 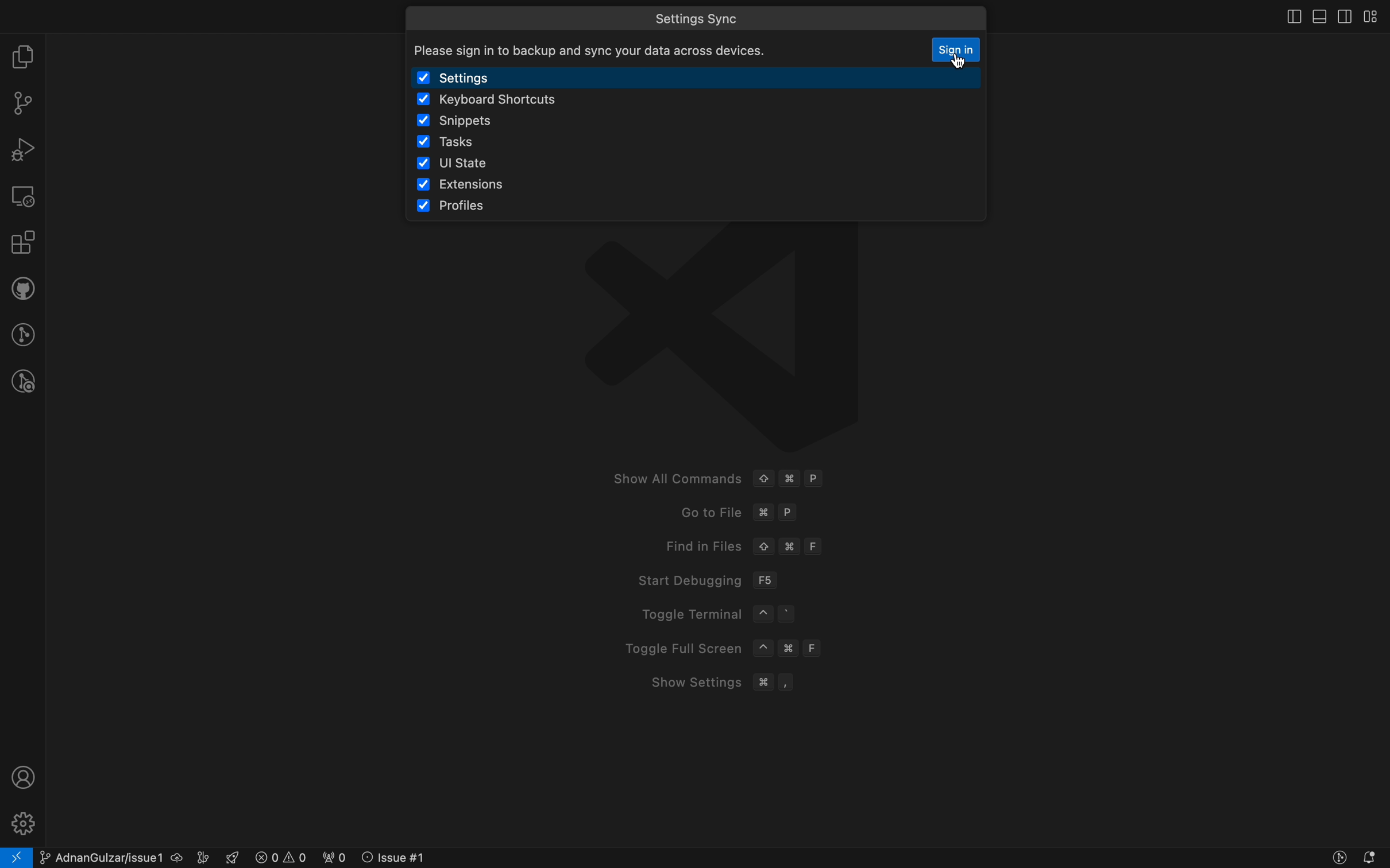 What do you see at coordinates (25, 776) in the screenshot?
I see `profile` at bounding box center [25, 776].